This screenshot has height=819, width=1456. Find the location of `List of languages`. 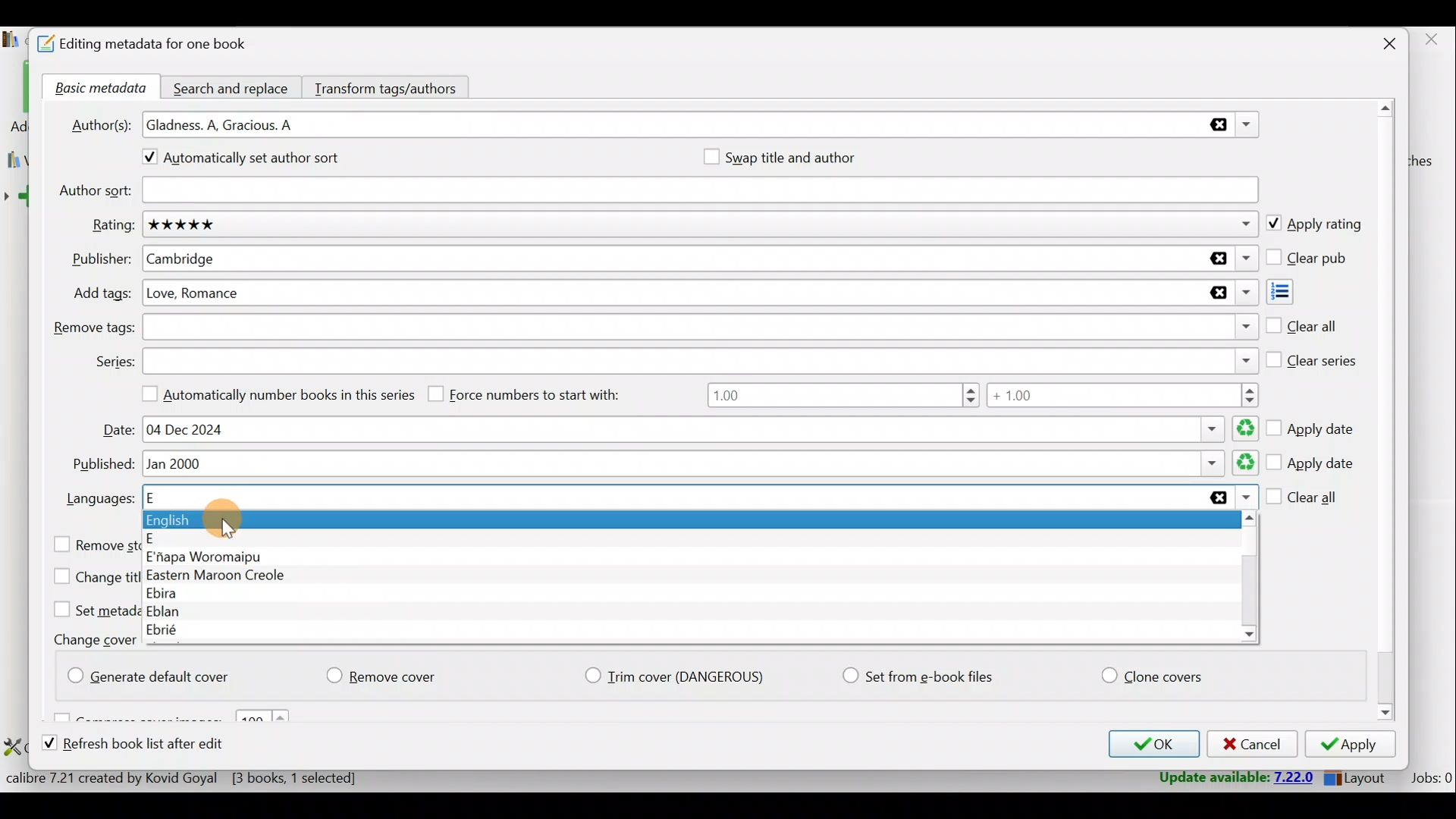

List of languages is located at coordinates (692, 575).